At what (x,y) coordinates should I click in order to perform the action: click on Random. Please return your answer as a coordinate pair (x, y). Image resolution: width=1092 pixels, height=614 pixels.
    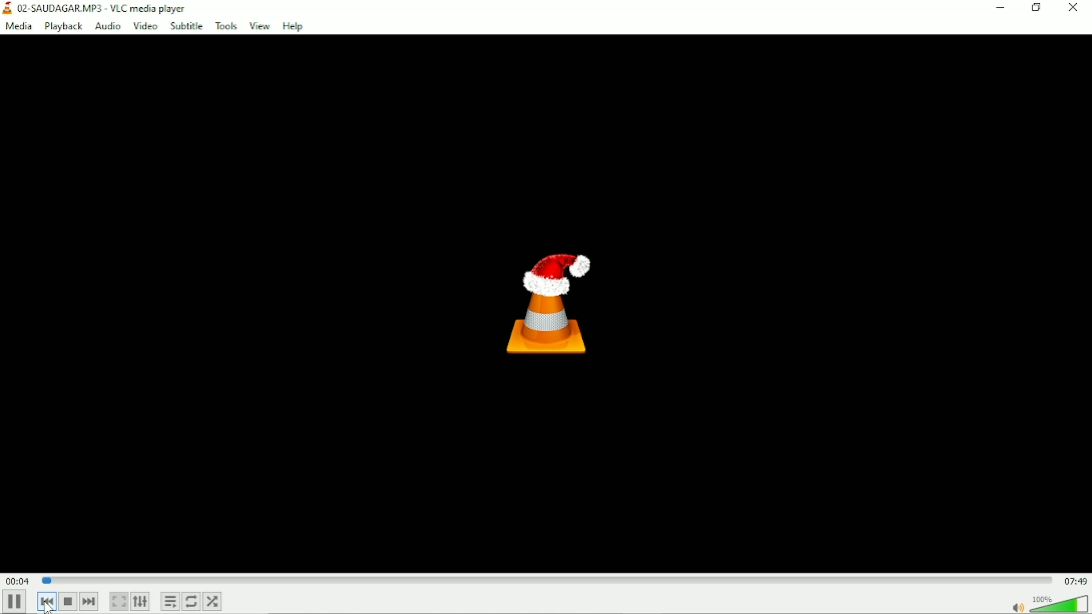
    Looking at the image, I should click on (213, 601).